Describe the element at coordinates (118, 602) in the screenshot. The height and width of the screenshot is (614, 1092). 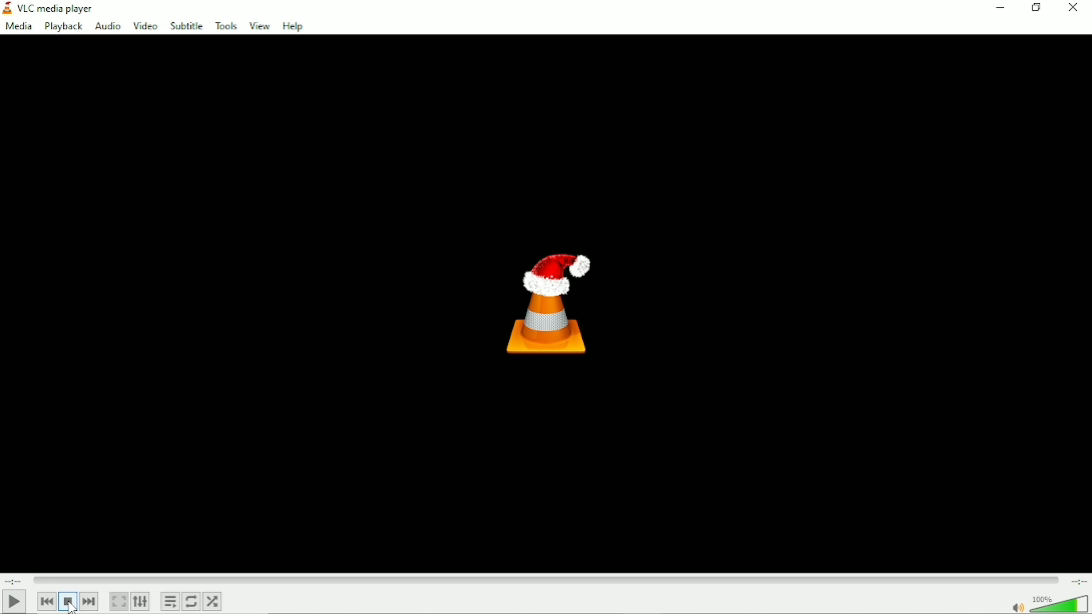
I see `Toggle the video in fullscreen` at that location.